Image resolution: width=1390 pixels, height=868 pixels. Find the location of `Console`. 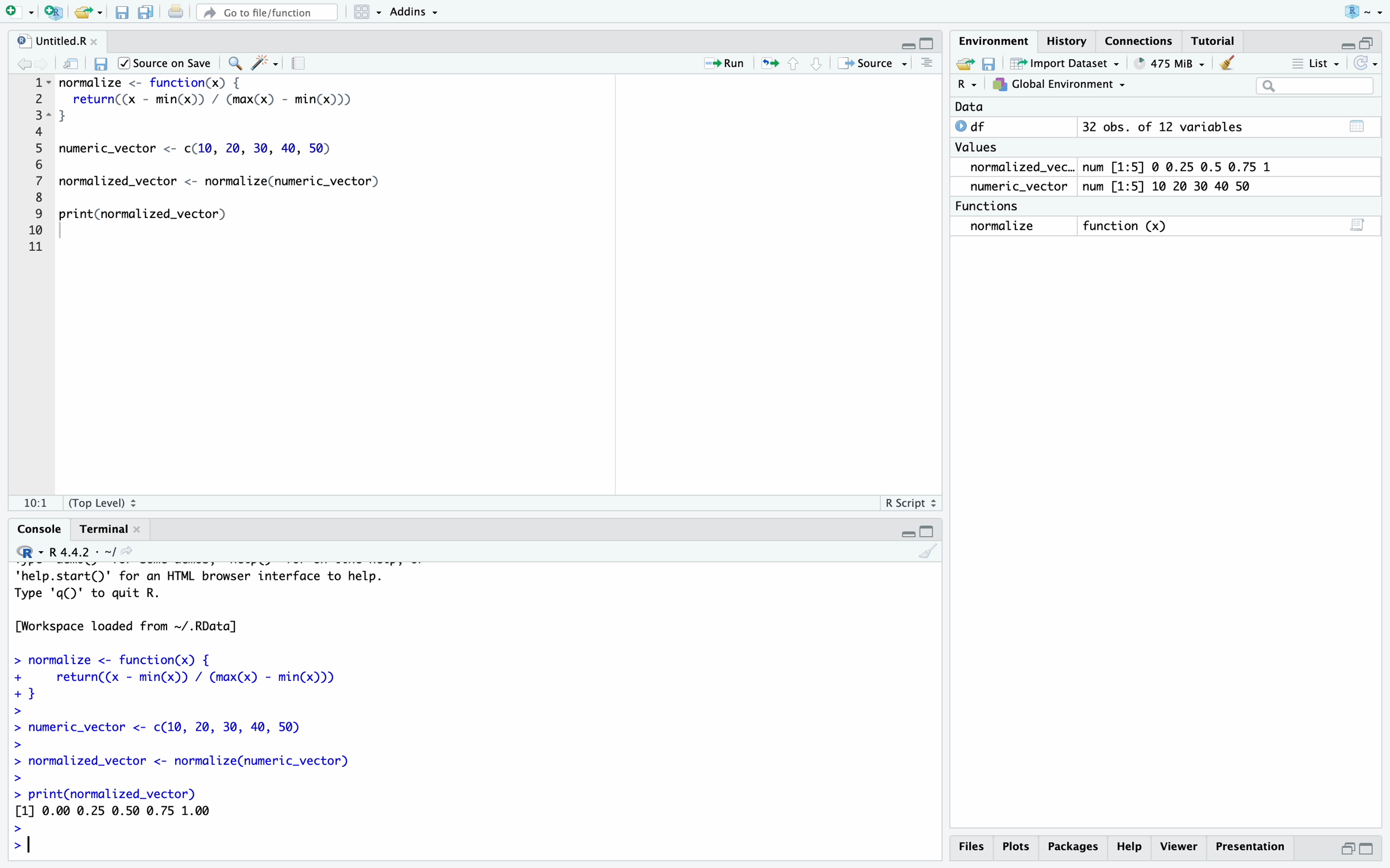

Console is located at coordinates (37, 530).